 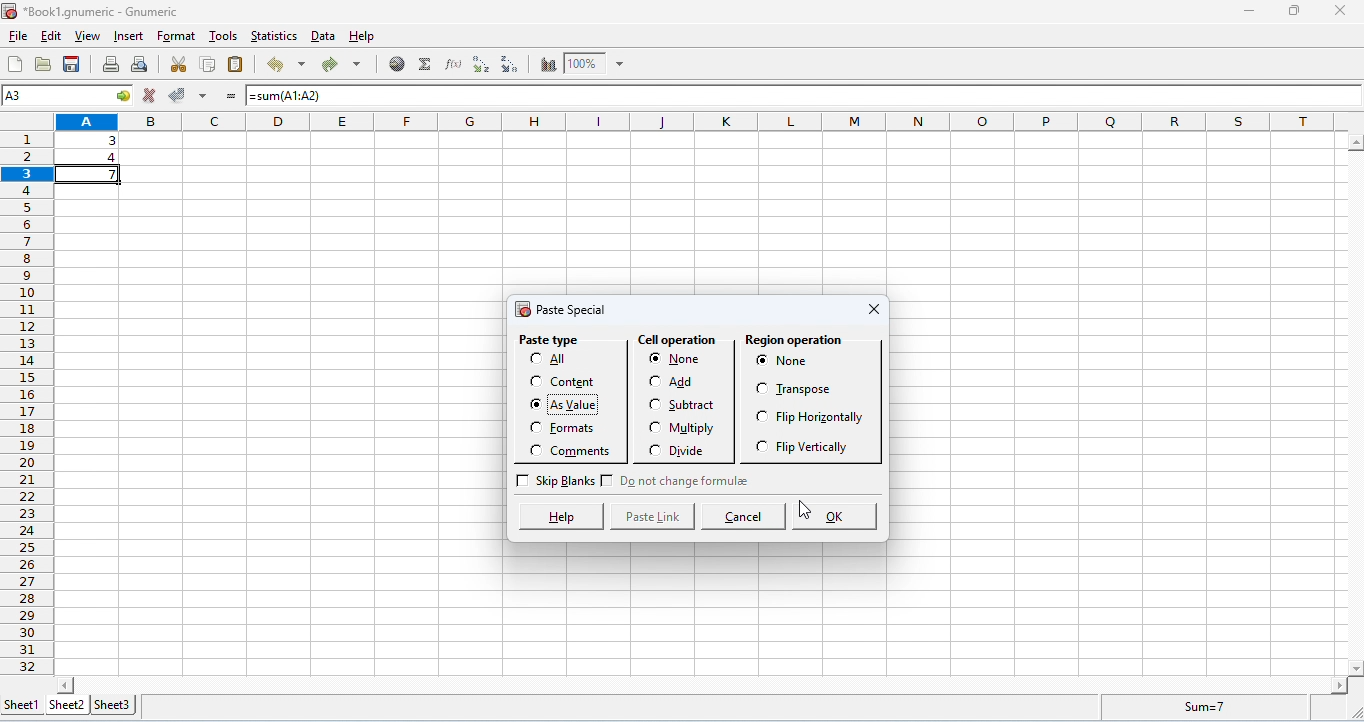 What do you see at coordinates (743, 515) in the screenshot?
I see `cancel` at bounding box center [743, 515].